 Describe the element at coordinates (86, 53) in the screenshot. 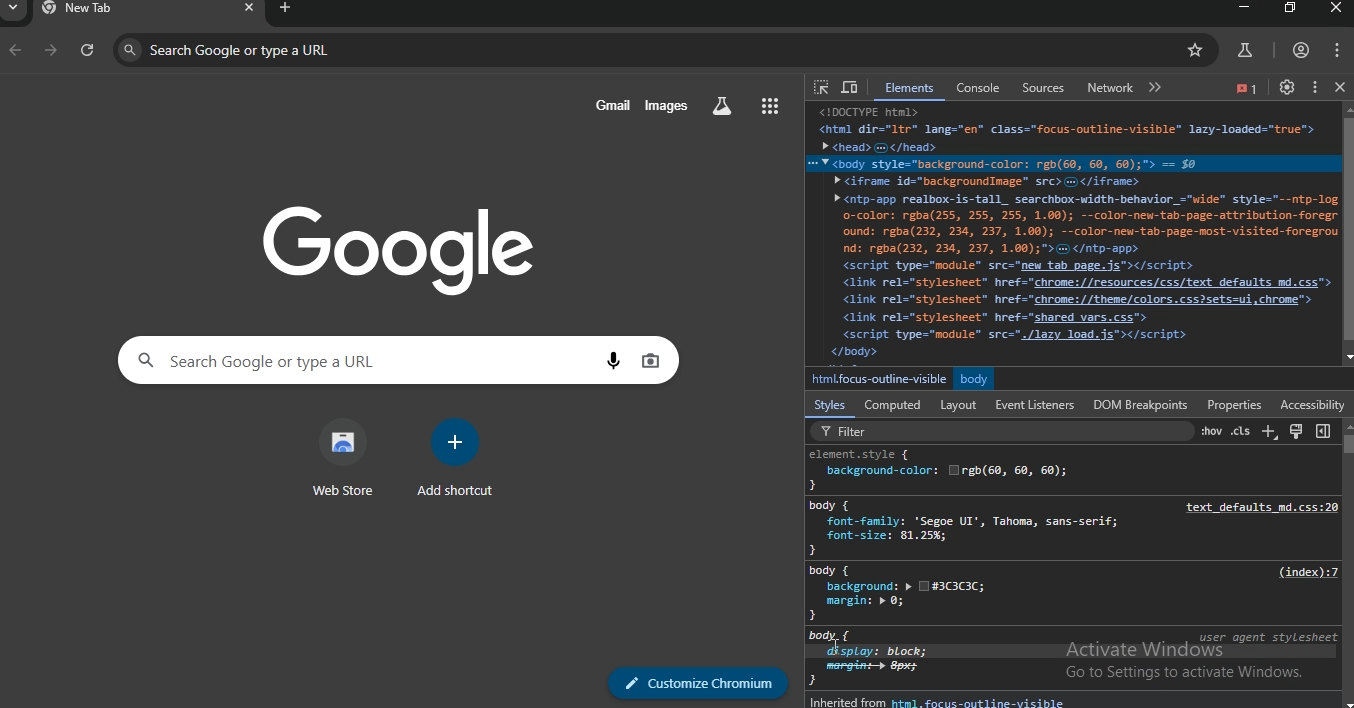

I see `refresh` at that location.